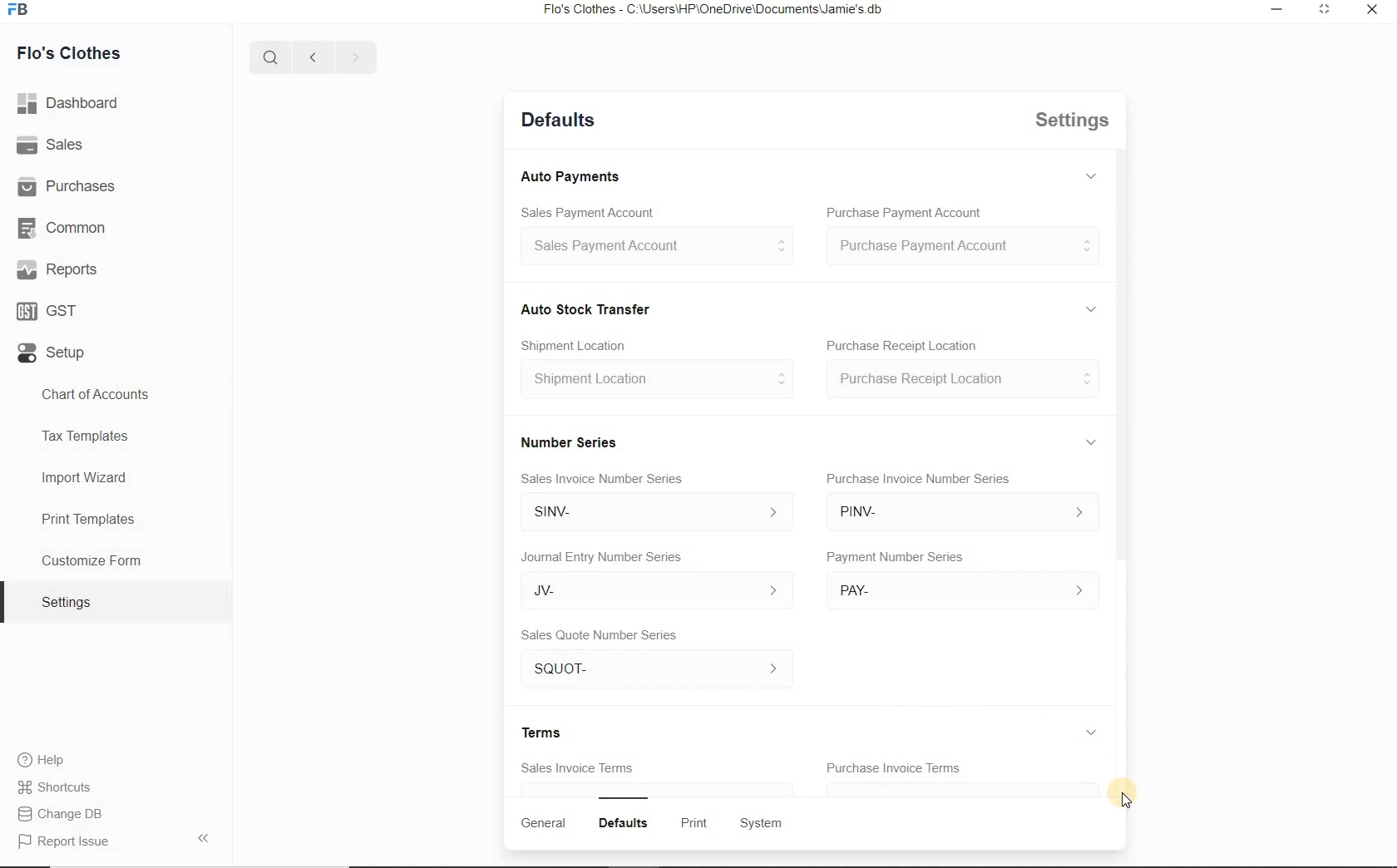 The height and width of the screenshot is (868, 1397). What do you see at coordinates (658, 244) in the screenshot?
I see `Sales Payment Account $` at bounding box center [658, 244].